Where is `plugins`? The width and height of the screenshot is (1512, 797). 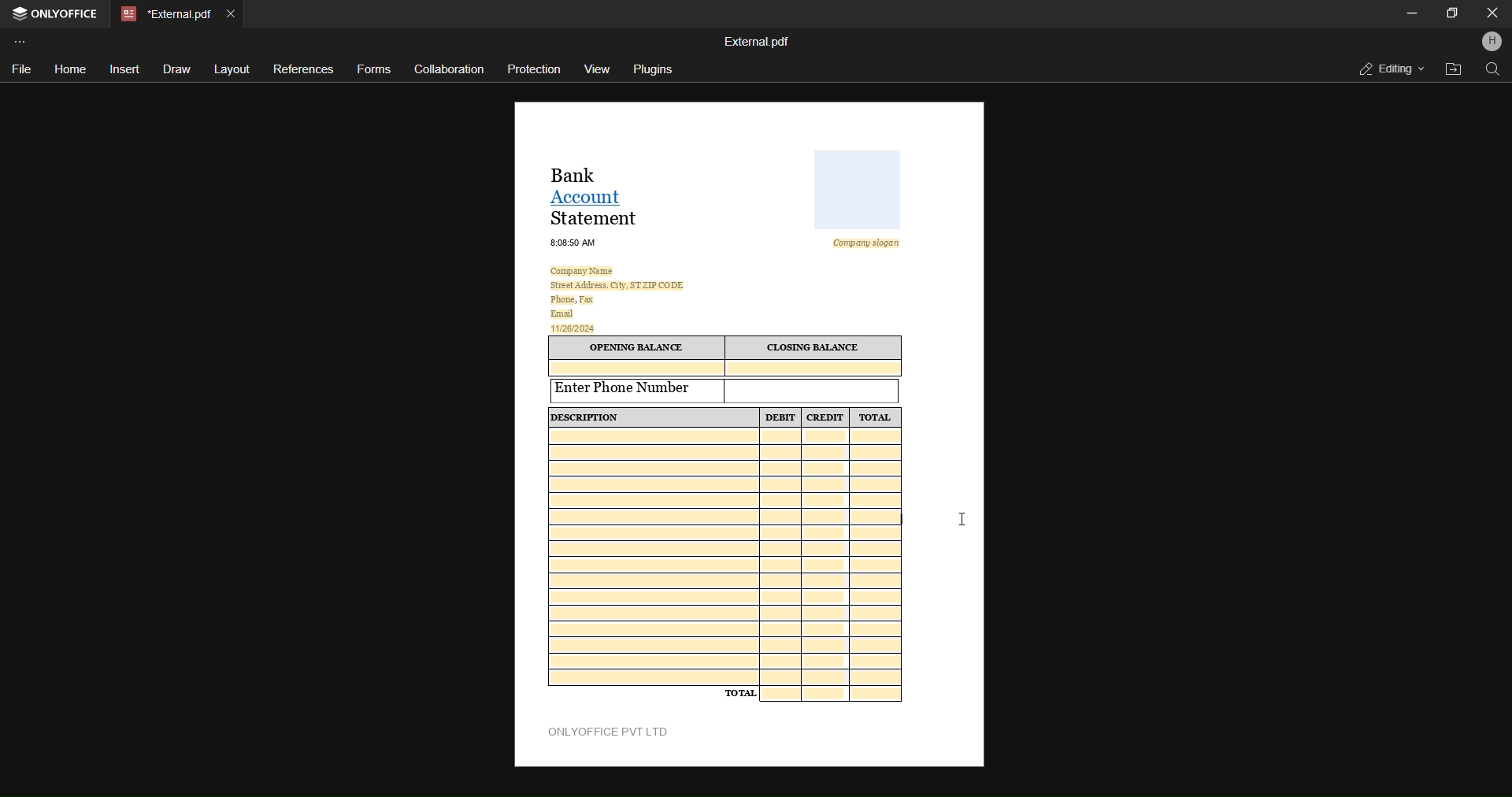
plugins is located at coordinates (654, 69).